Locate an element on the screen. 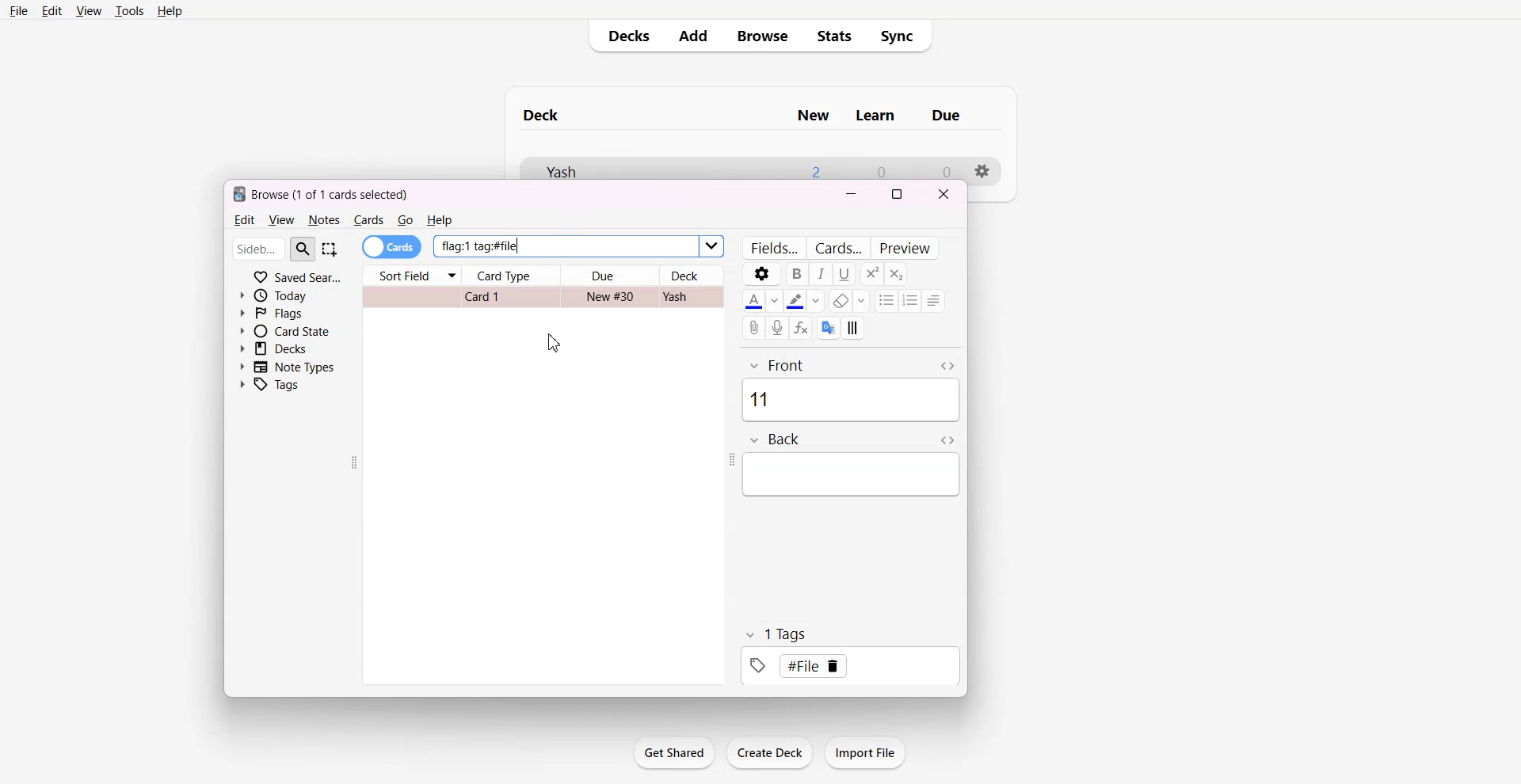  Erase Format is located at coordinates (848, 301).